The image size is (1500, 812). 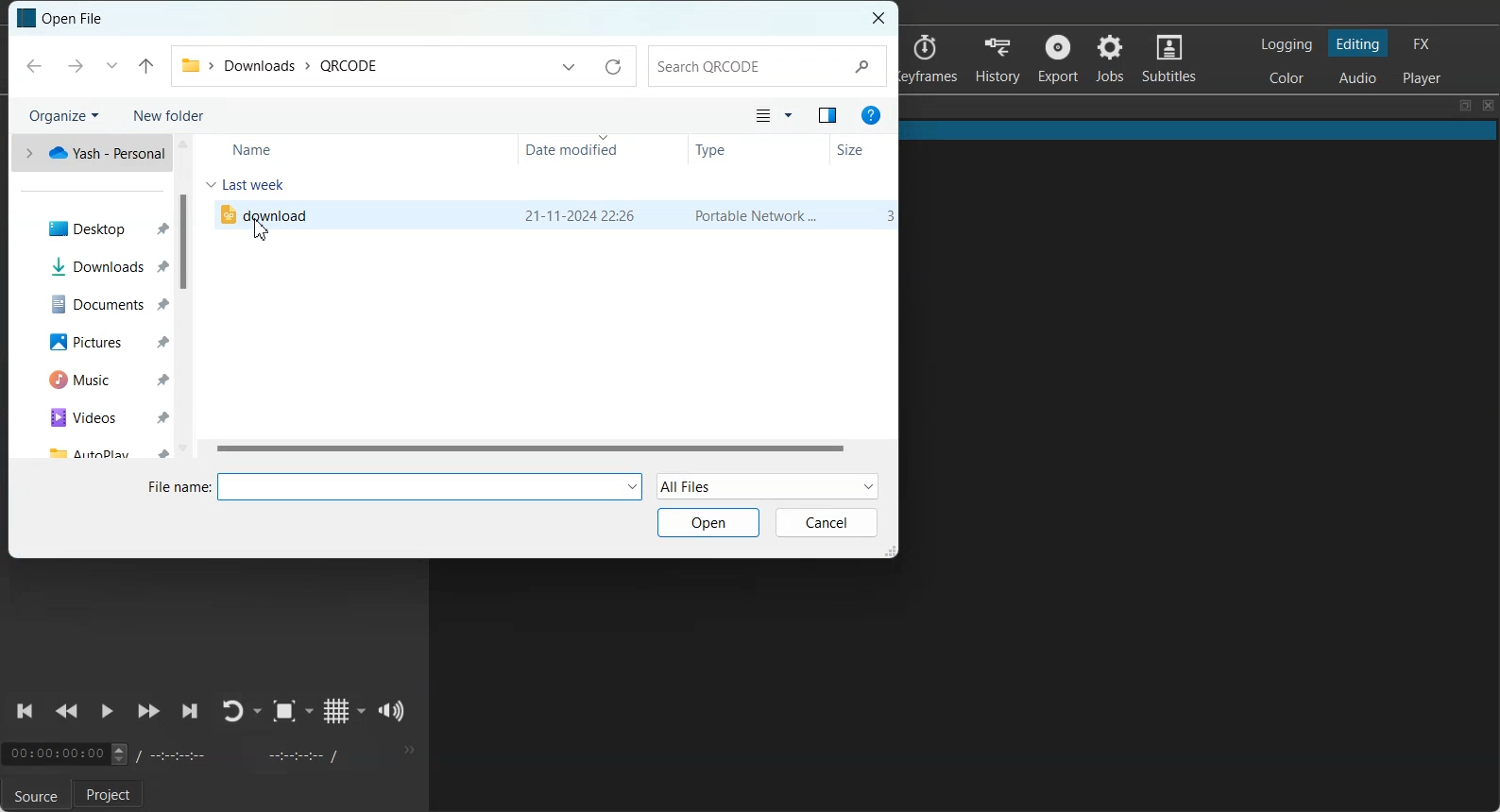 What do you see at coordinates (185, 243) in the screenshot?
I see `Vertical Scroll bar` at bounding box center [185, 243].